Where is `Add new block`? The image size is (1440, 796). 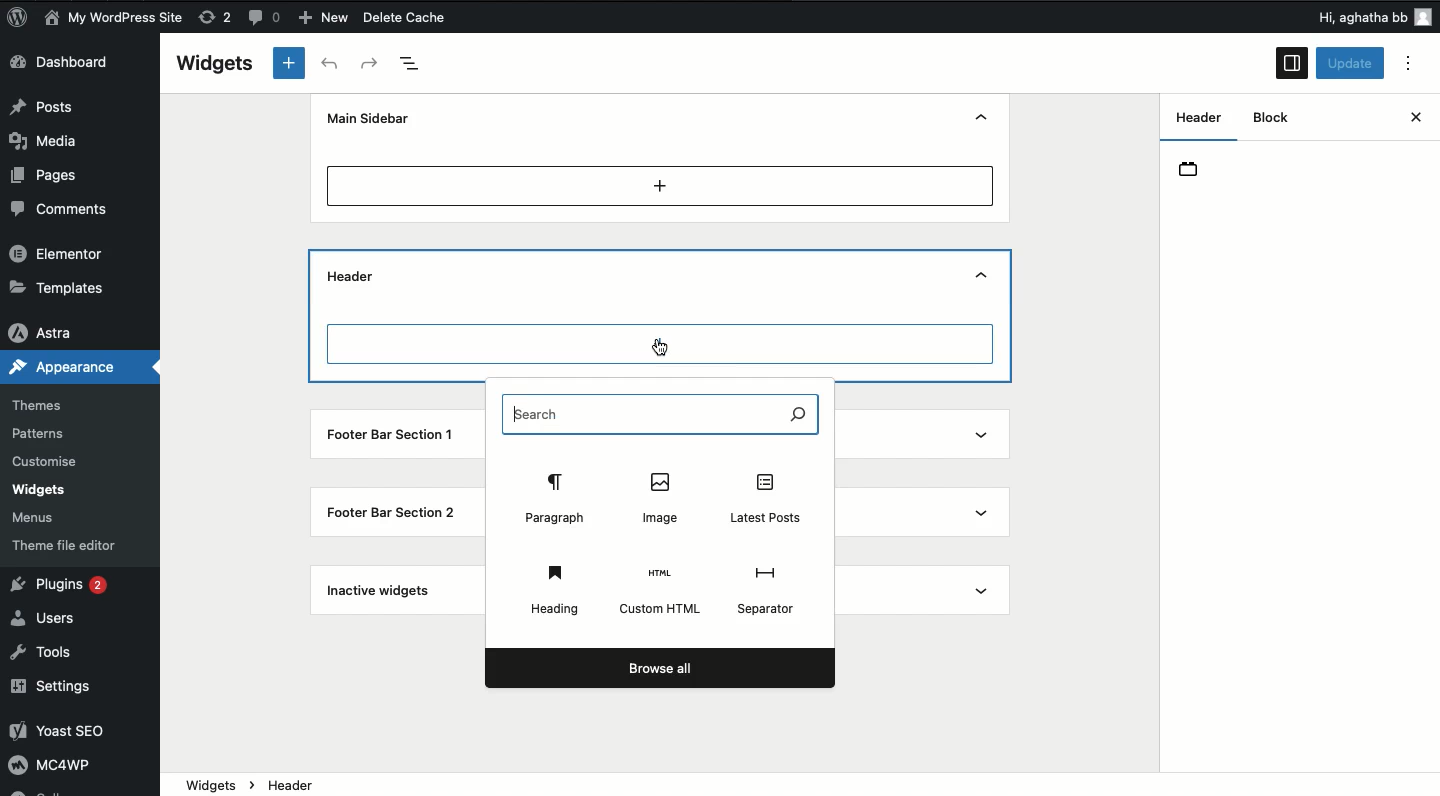 Add new block is located at coordinates (660, 185).